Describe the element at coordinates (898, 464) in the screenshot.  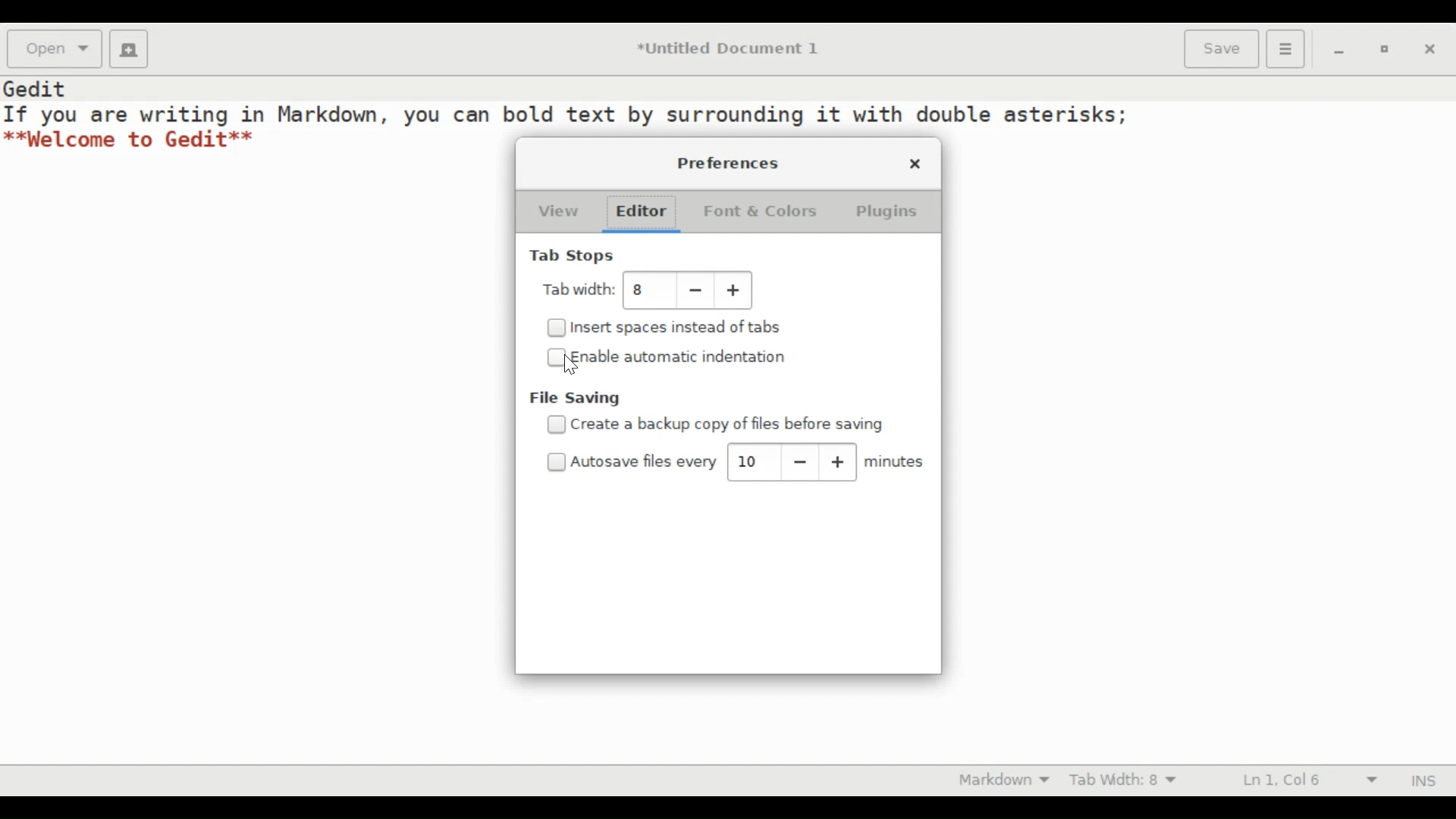
I see ` minutes` at that location.